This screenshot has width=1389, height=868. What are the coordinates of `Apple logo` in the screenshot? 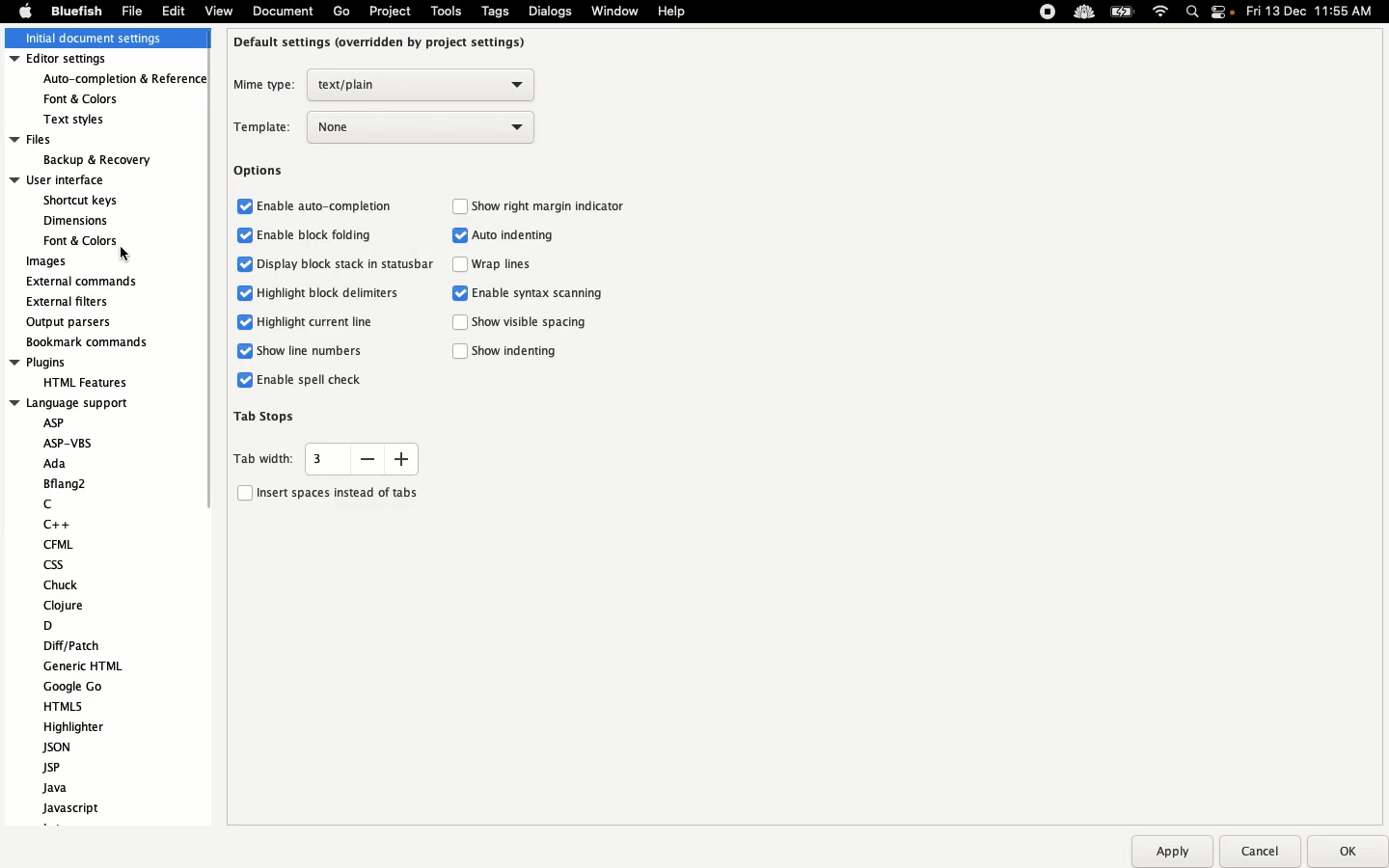 It's located at (25, 11).